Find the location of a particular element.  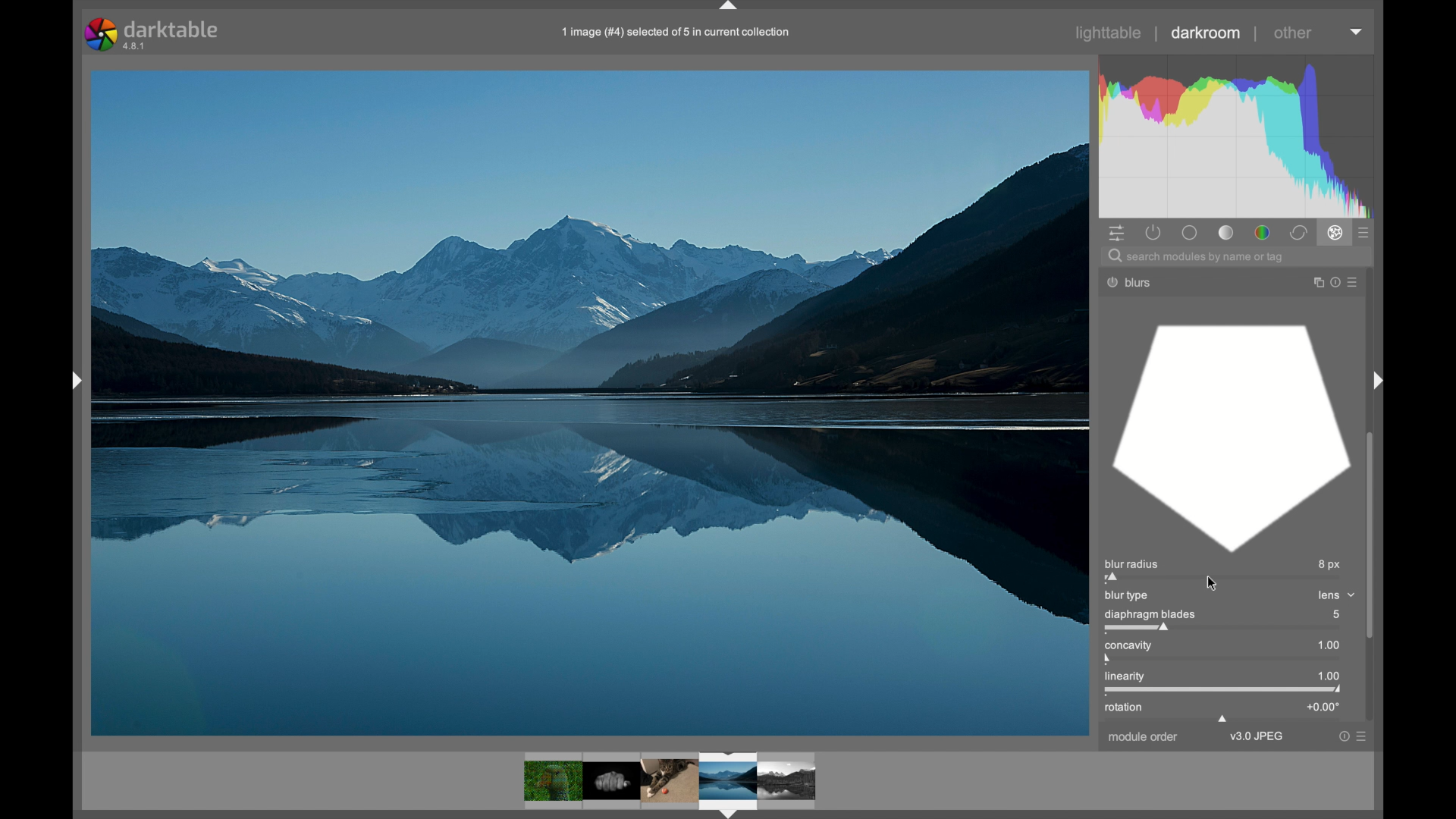

rotation is located at coordinates (1125, 708).